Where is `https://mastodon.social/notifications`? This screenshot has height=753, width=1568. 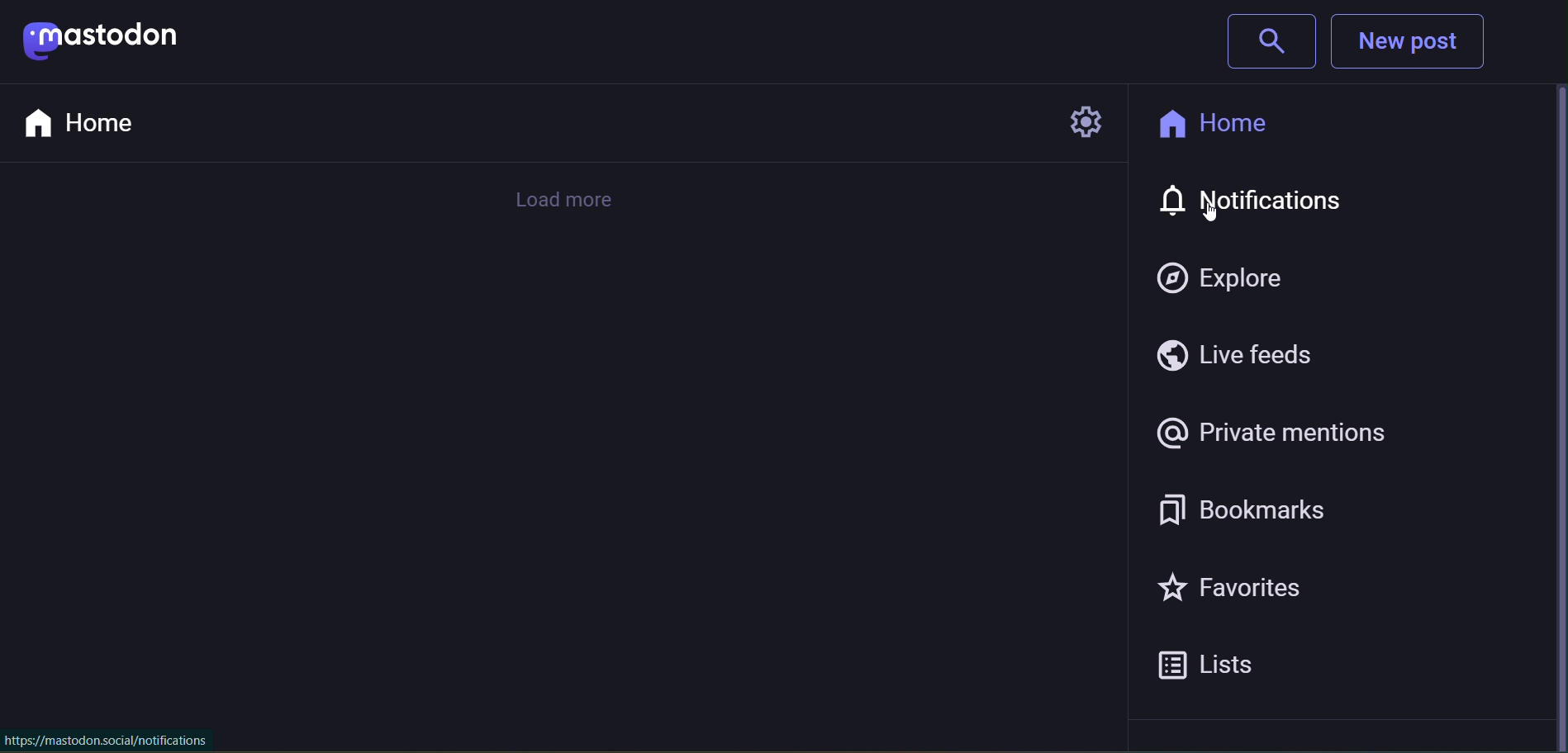 https://mastodon.social/notifications is located at coordinates (106, 741).